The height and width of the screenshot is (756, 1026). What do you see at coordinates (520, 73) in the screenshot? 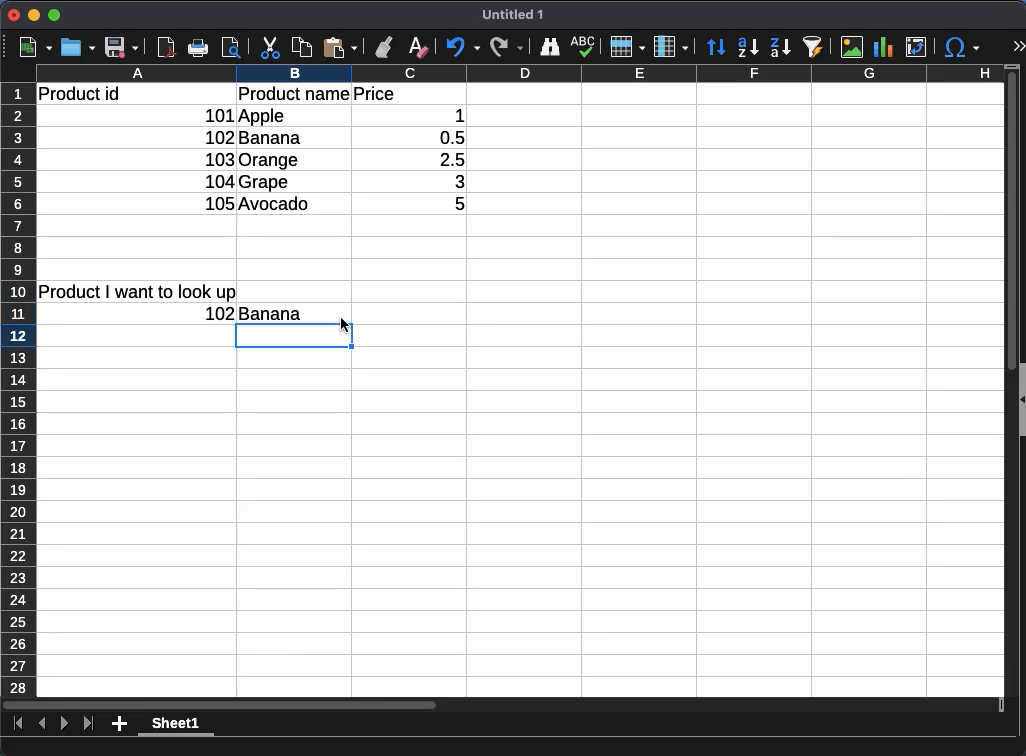
I see `column` at bounding box center [520, 73].